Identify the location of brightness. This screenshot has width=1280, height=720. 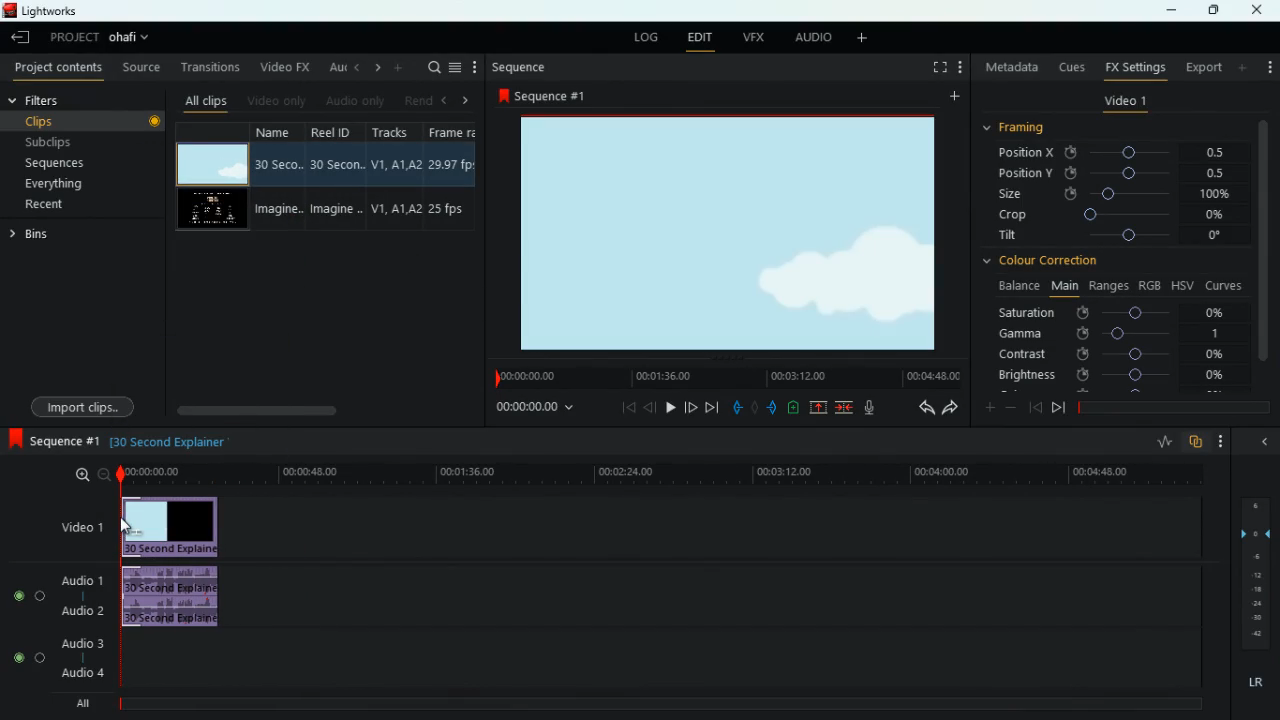
(1110, 374).